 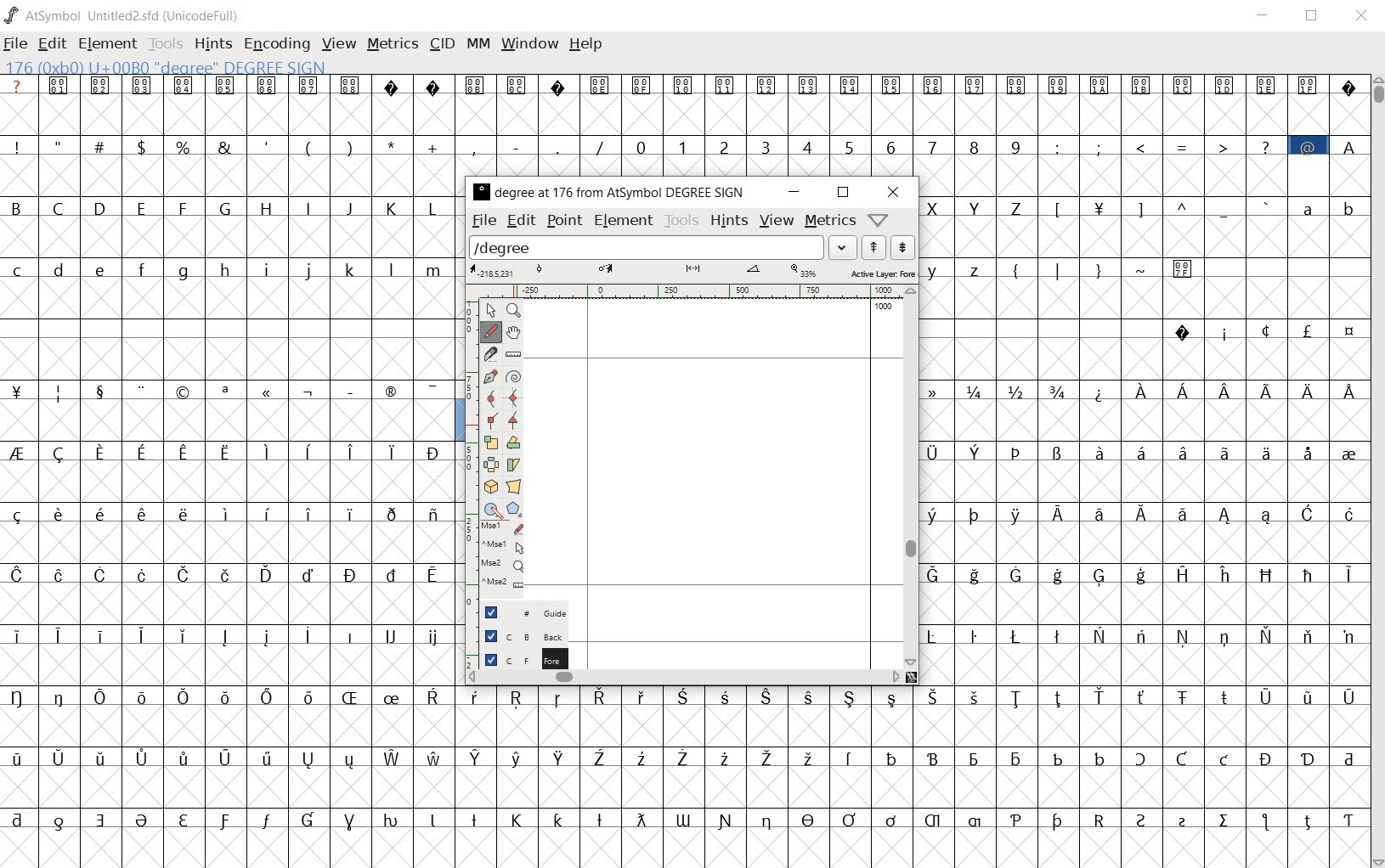 What do you see at coordinates (1310, 145) in the screenshot?
I see `@` at bounding box center [1310, 145].